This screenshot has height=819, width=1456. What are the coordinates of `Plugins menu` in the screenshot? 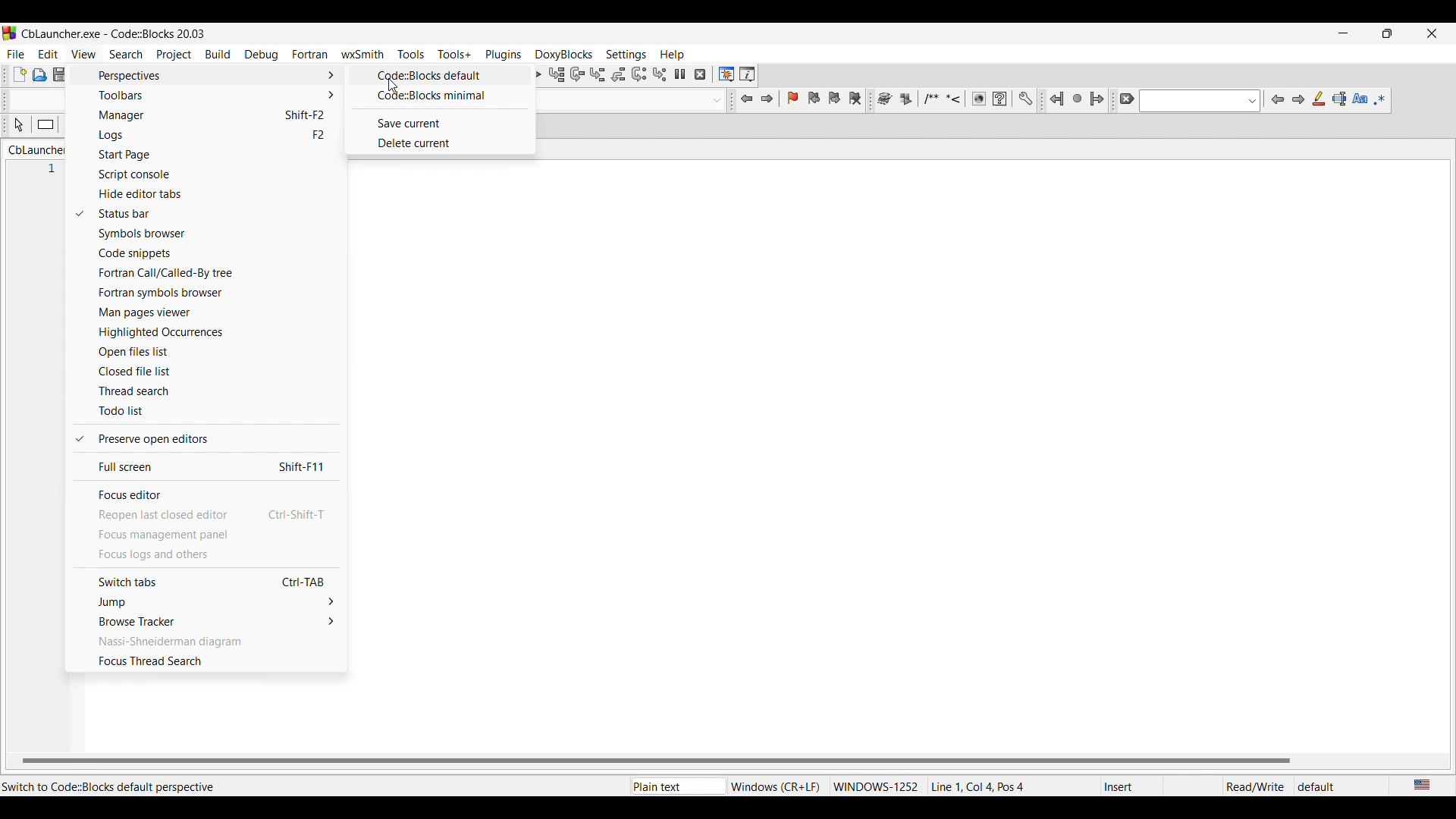 It's located at (504, 55).